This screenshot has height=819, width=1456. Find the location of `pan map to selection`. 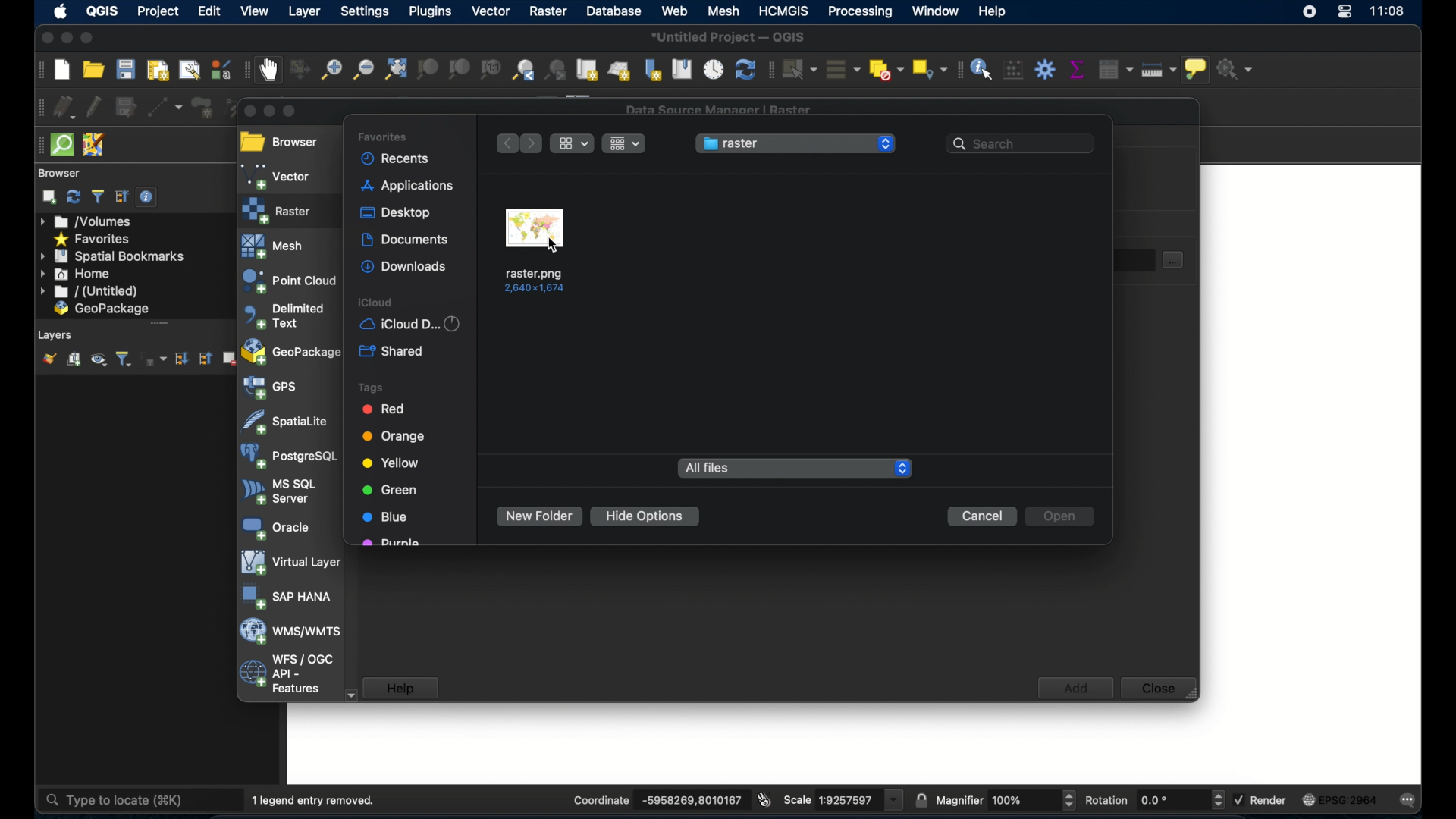

pan map to selection is located at coordinates (302, 70).